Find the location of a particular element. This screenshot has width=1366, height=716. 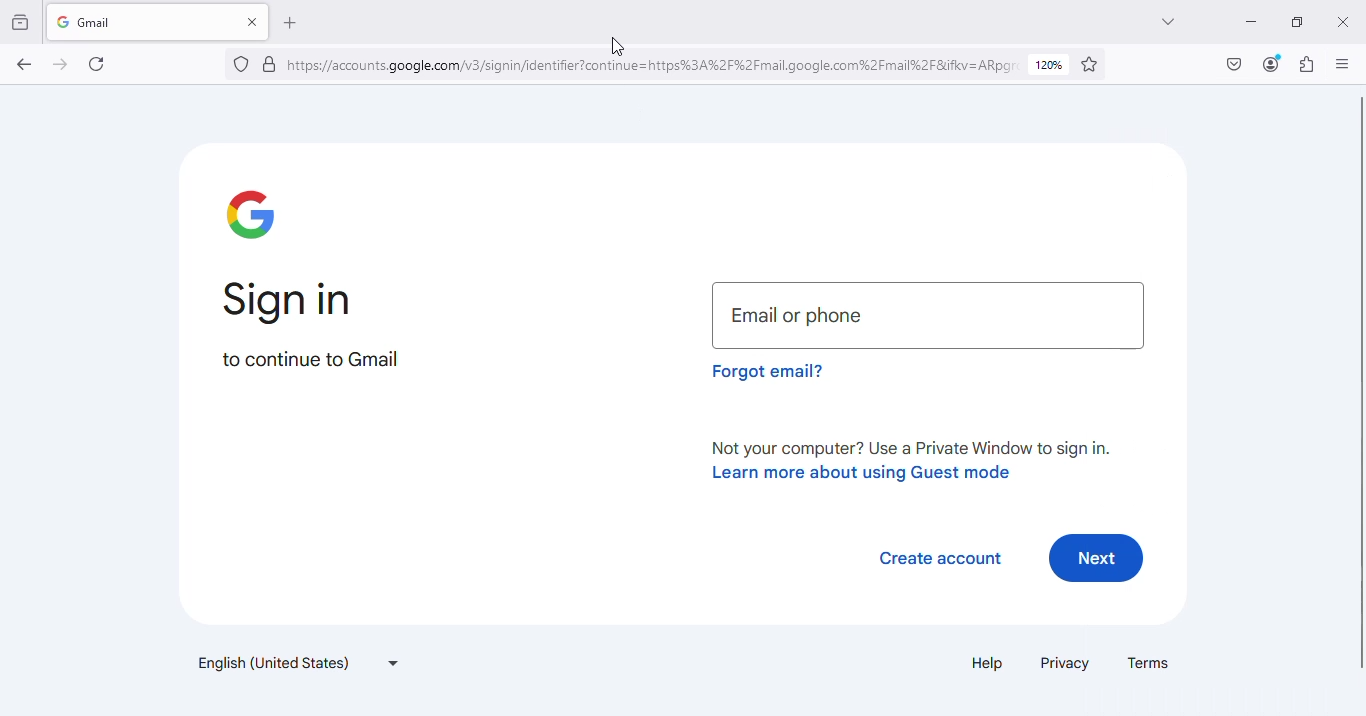

google logo is located at coordinates (254, 214).